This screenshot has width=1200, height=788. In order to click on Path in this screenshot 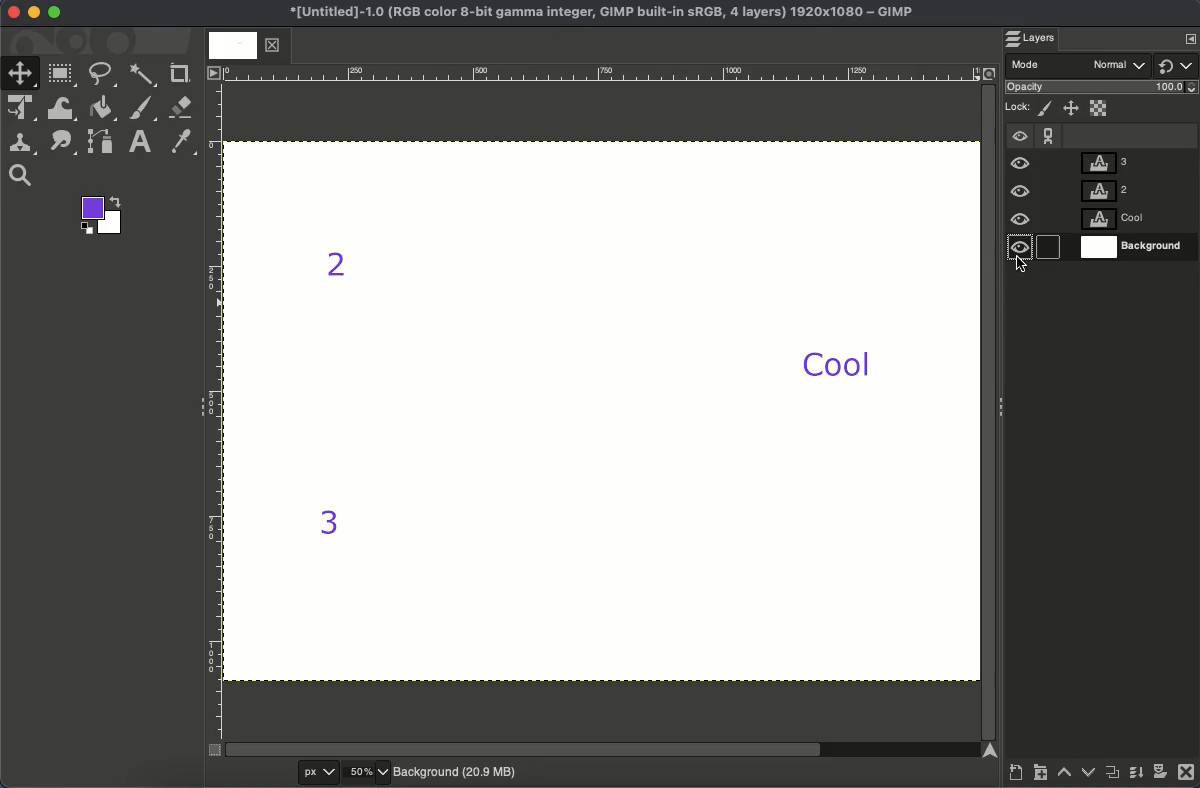, I will do `click(103, 145)`.